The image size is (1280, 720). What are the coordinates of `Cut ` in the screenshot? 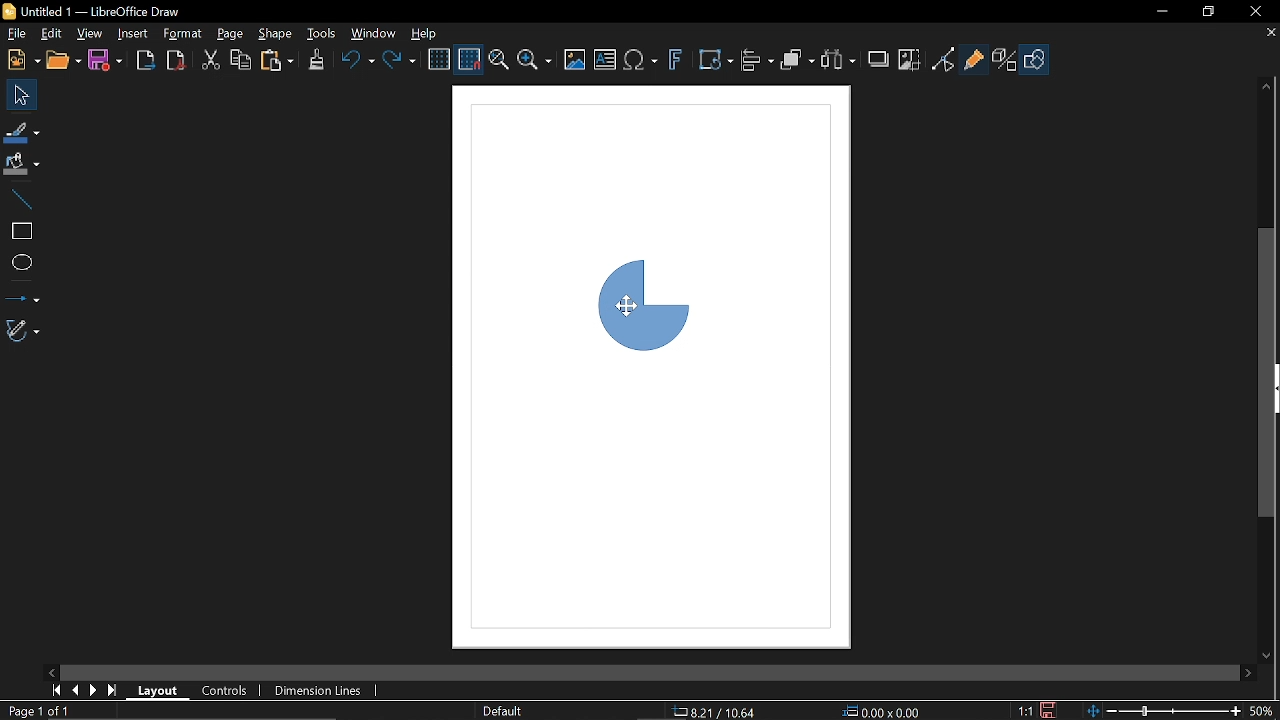 It's located at (210, 60).